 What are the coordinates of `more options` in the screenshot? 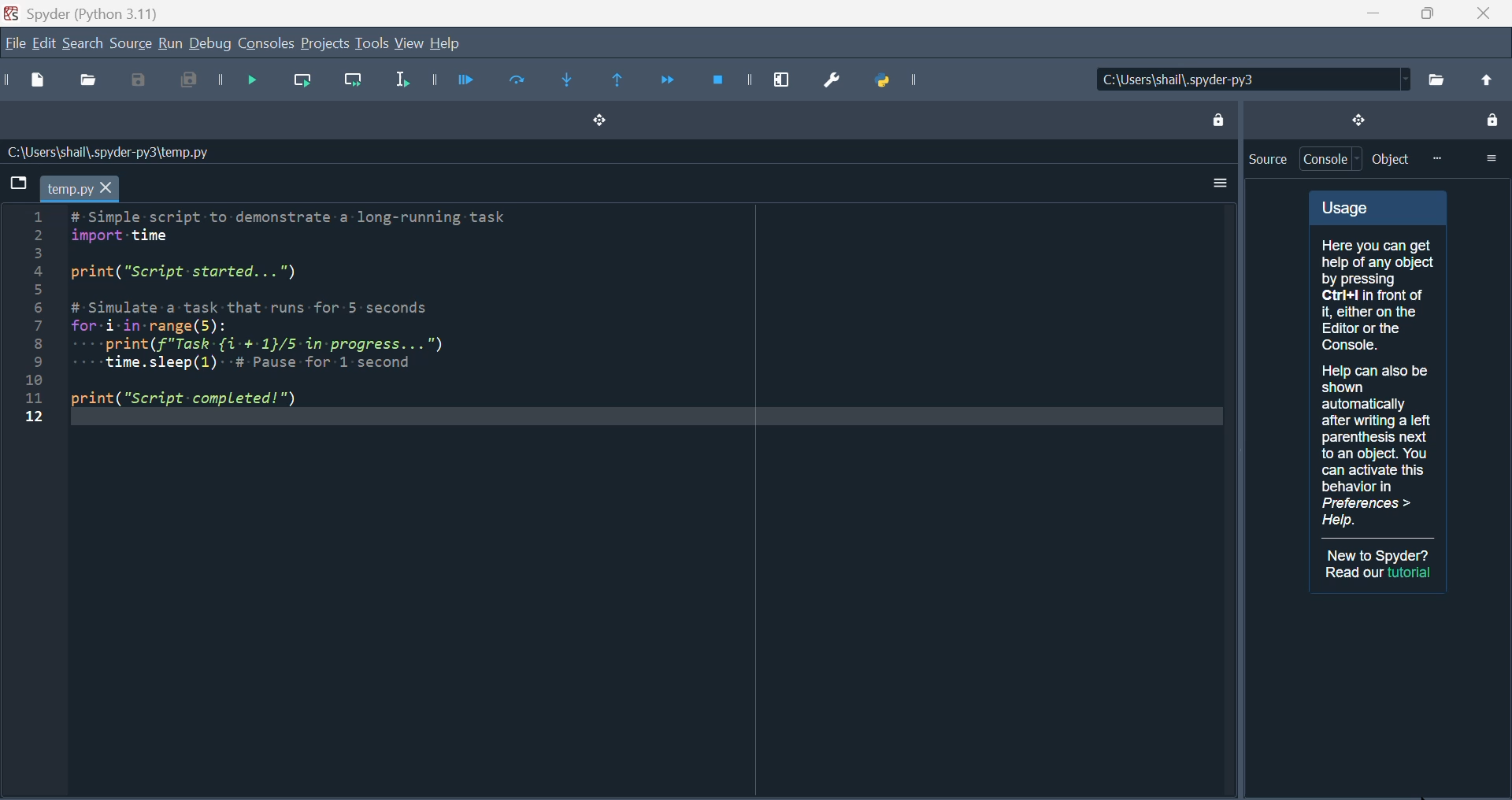 It's located at (1491, 157).